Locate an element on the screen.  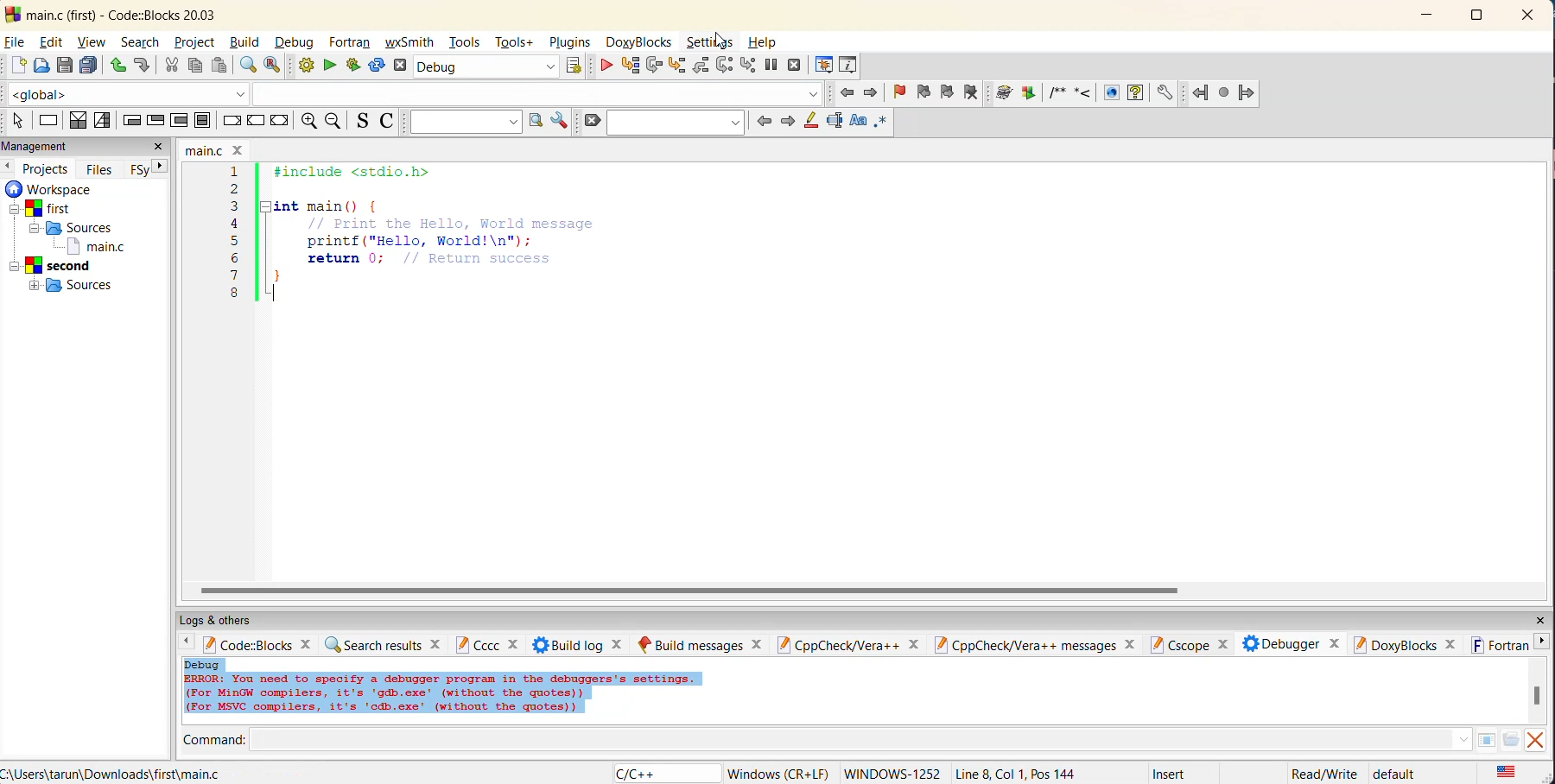
build messages is located at coordinates (703, 643).